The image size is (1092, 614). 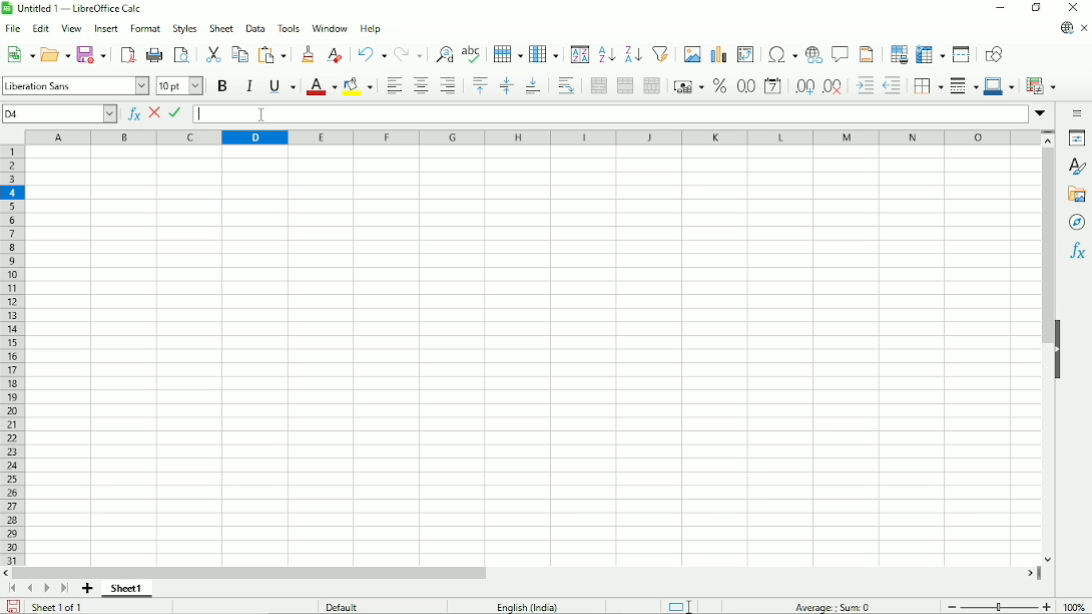 I want to click on Conditional, so click(x=1044, y=86).